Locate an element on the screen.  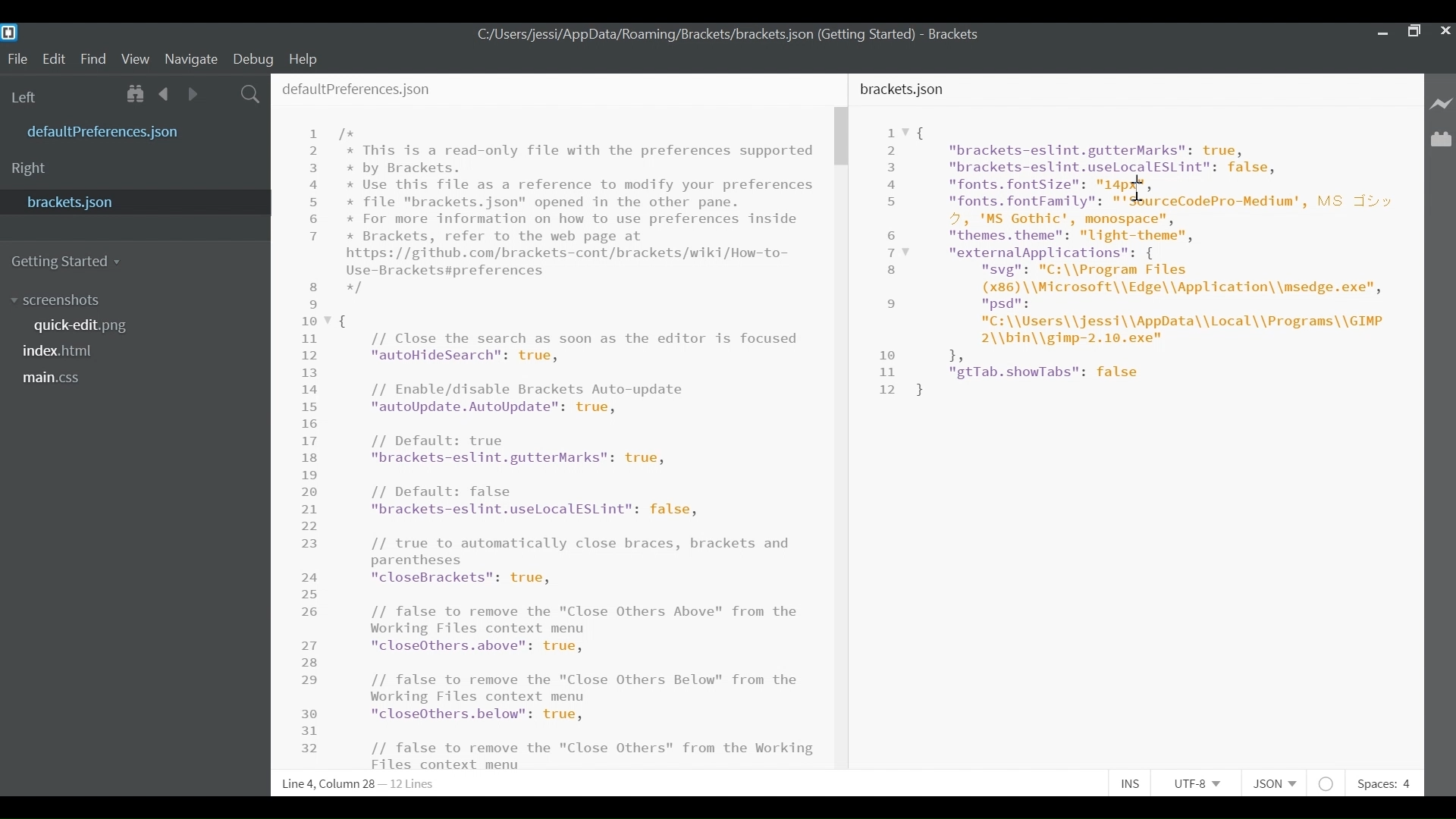
Live Preview is located at coordinates (1442, 103).